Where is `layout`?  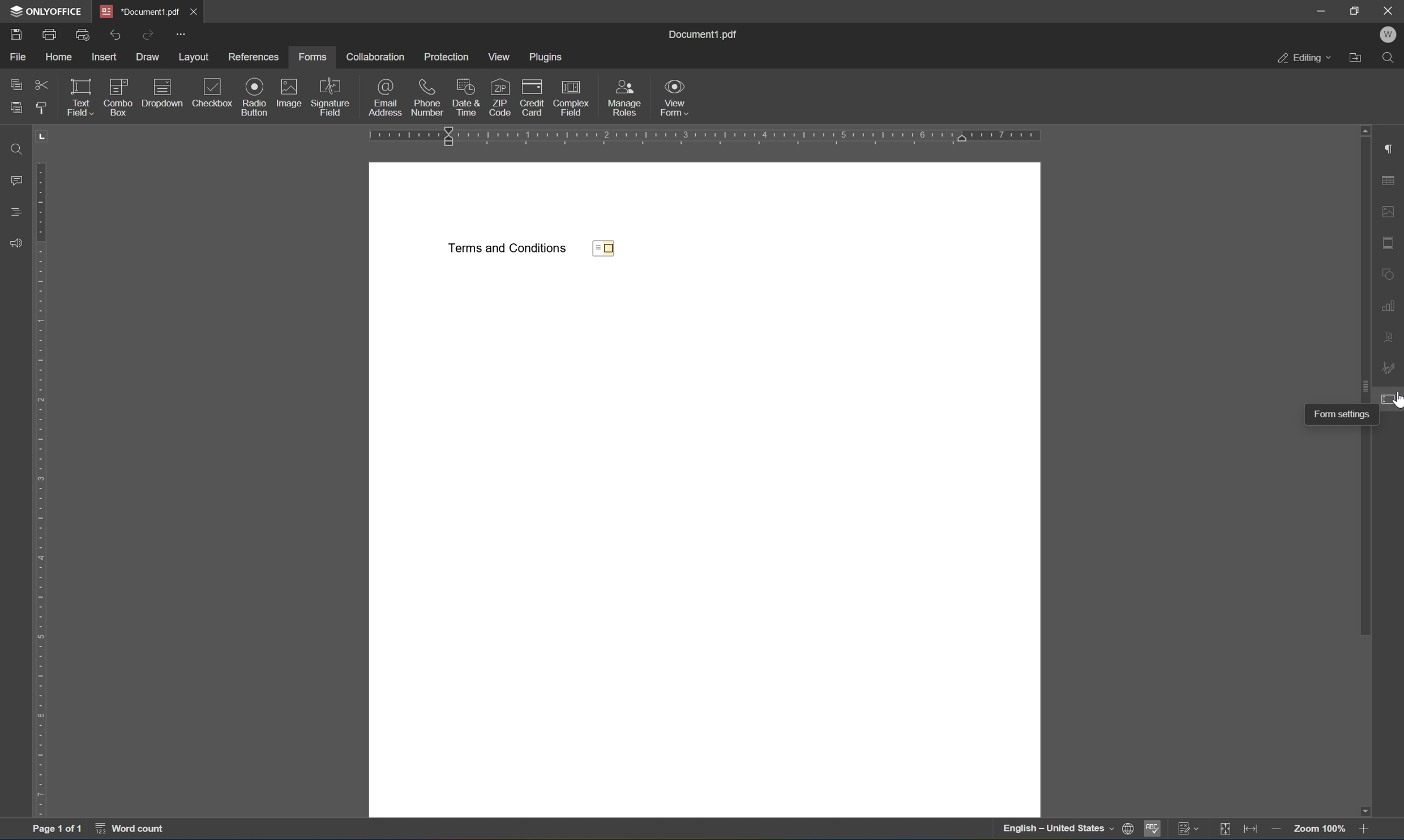 layout is located at coordinates (194, 57).